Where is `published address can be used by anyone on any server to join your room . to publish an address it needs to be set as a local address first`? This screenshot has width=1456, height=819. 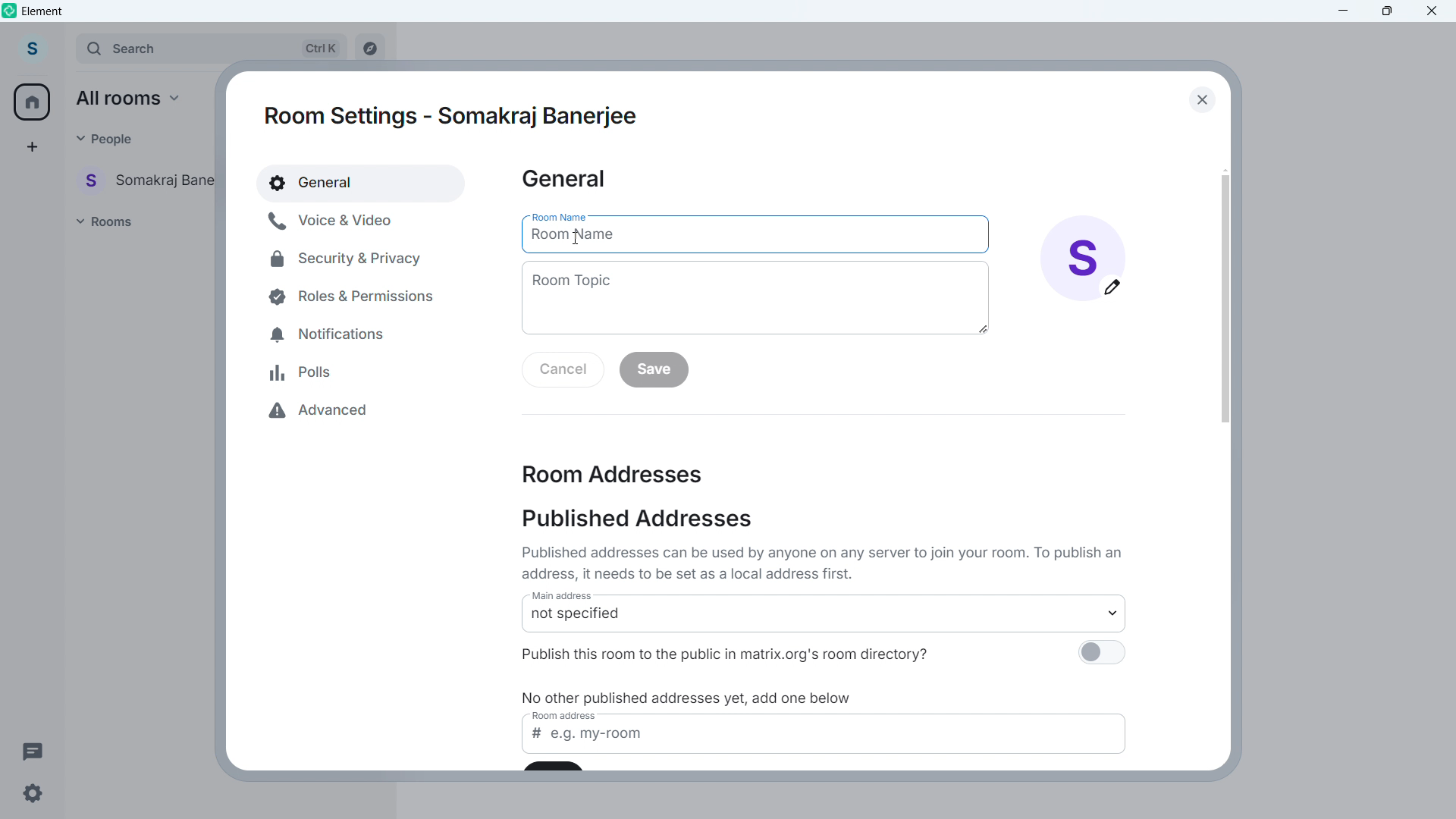
published address can be used by anyone on any server to join your room . to publish an address it needs to be set as a local address first is located at coordinates (826, 563).